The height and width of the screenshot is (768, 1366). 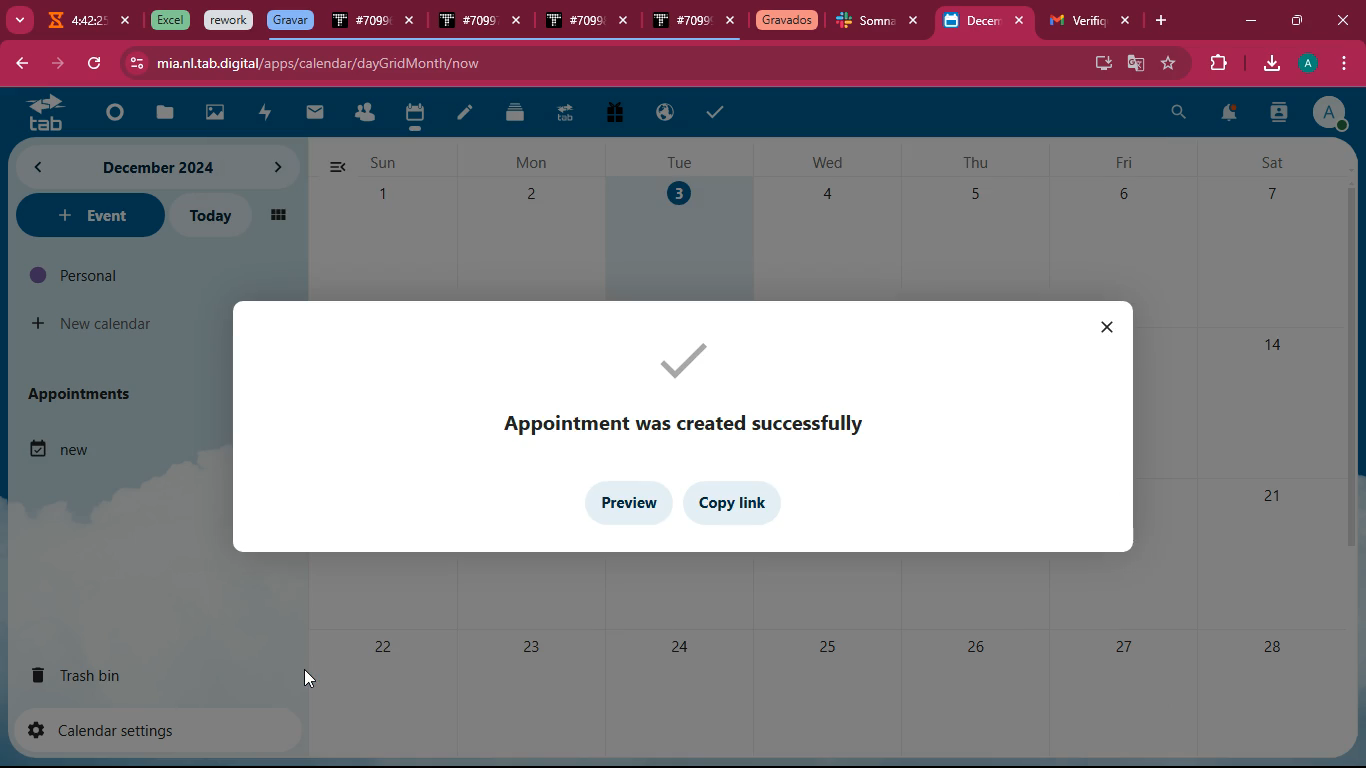 What do you see at coordinates (1250, 22) in the screenshot?
I see `minimize` at bounding box center [1250, 22].